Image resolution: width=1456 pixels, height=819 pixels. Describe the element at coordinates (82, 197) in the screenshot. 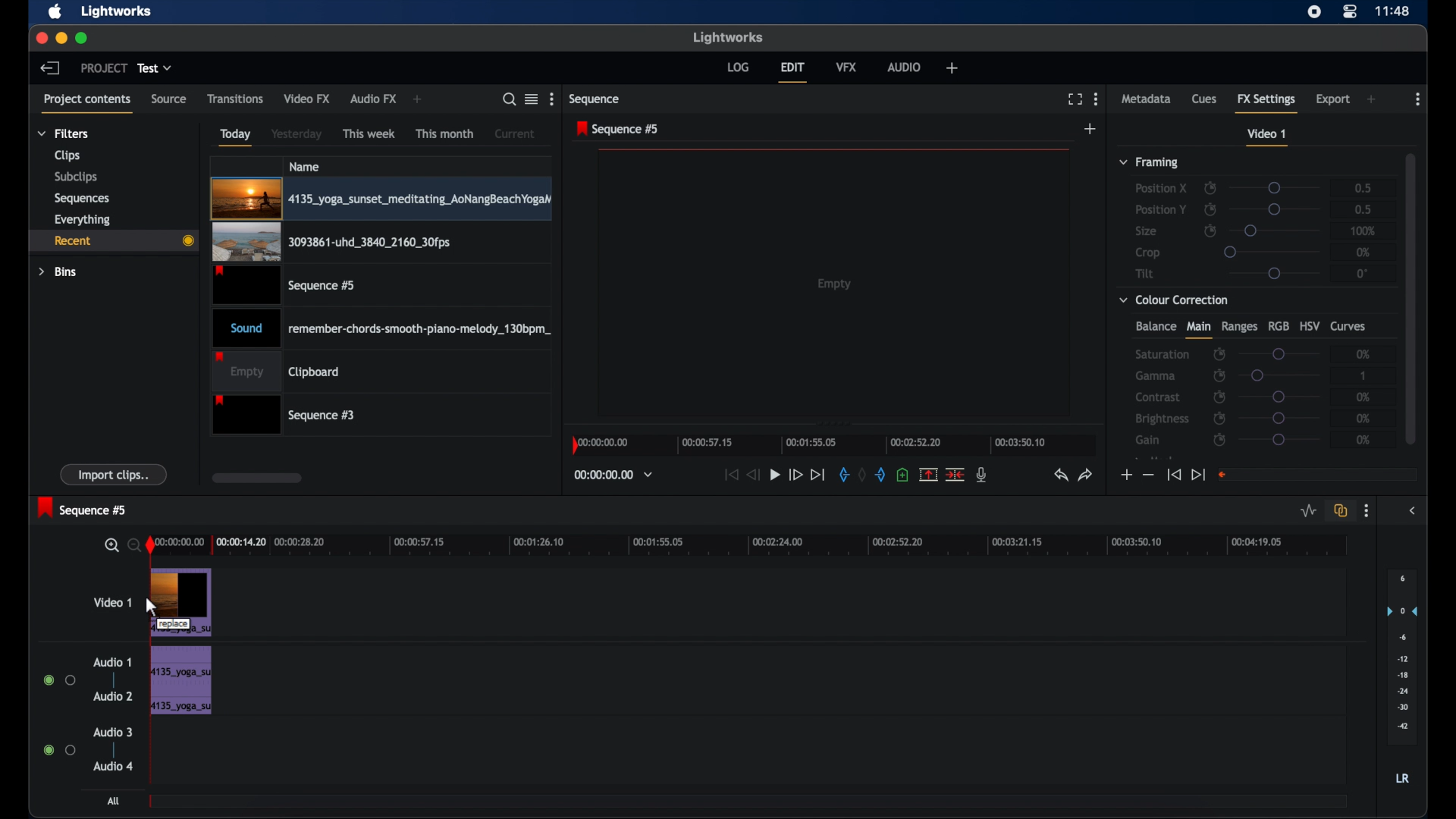

I see `sequences` at that location.